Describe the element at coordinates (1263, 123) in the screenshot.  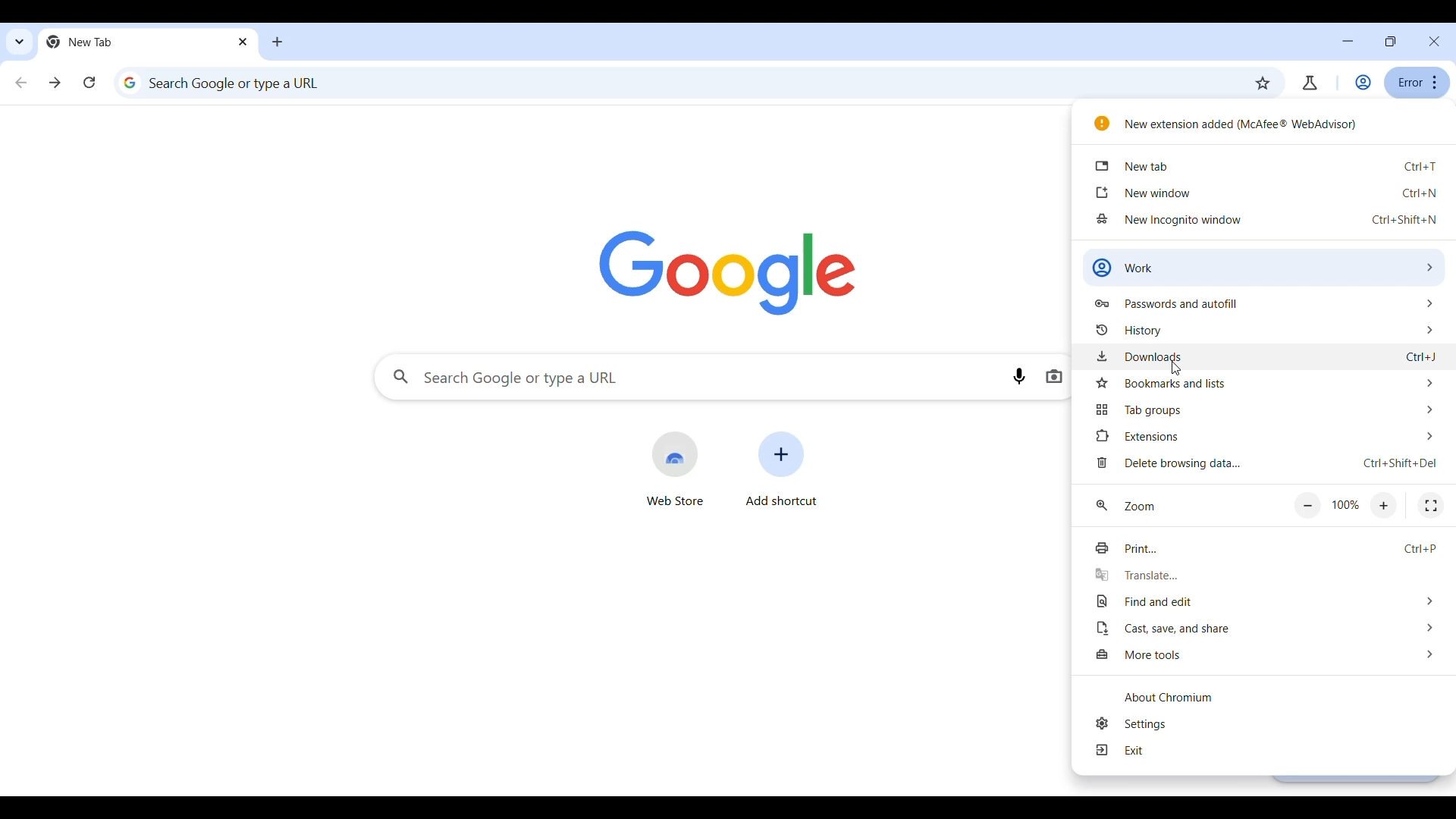
I see `New extension added (McAfee Webadvisor)` at that location.